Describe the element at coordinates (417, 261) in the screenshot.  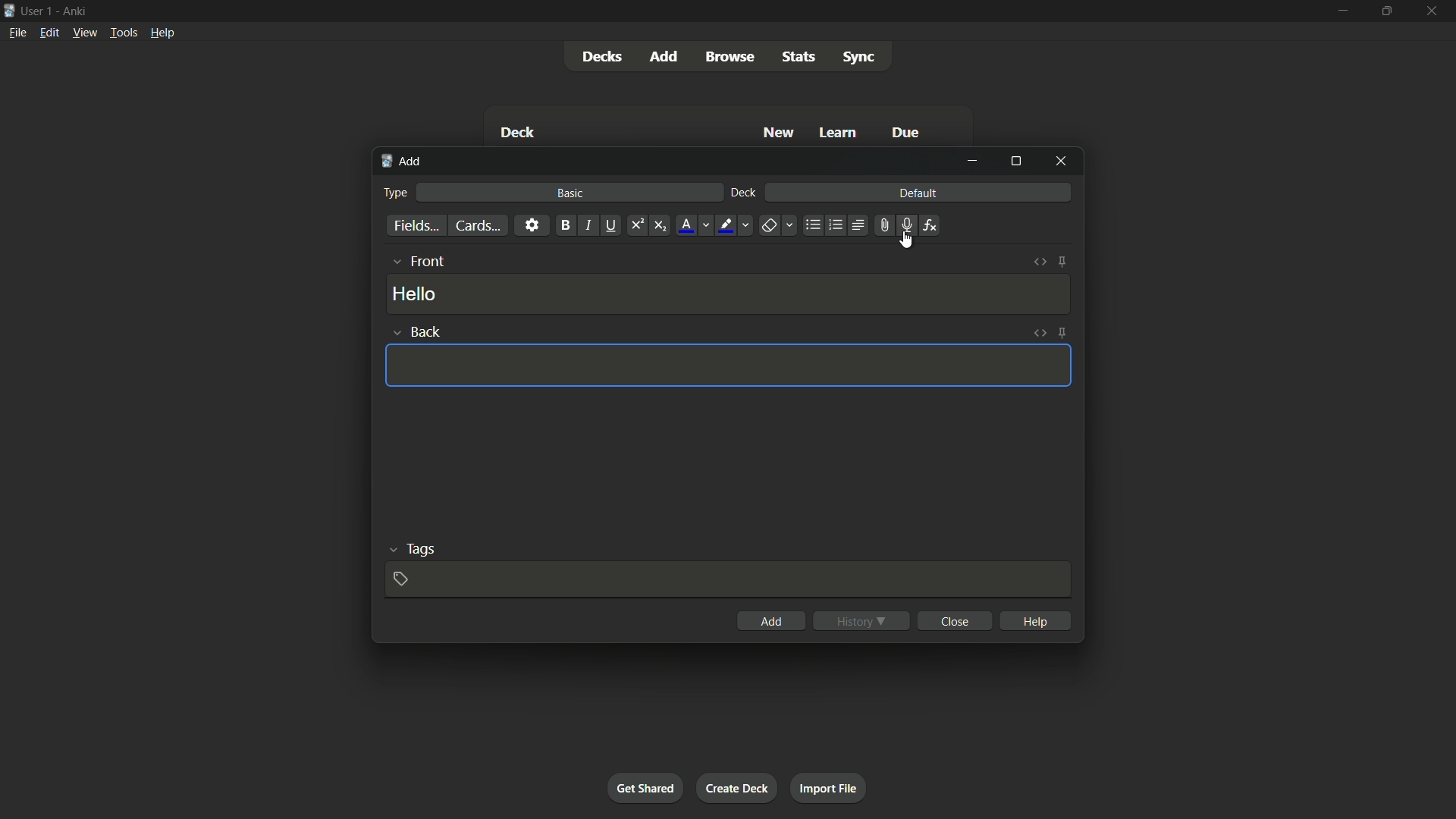
I see `front` at that location.